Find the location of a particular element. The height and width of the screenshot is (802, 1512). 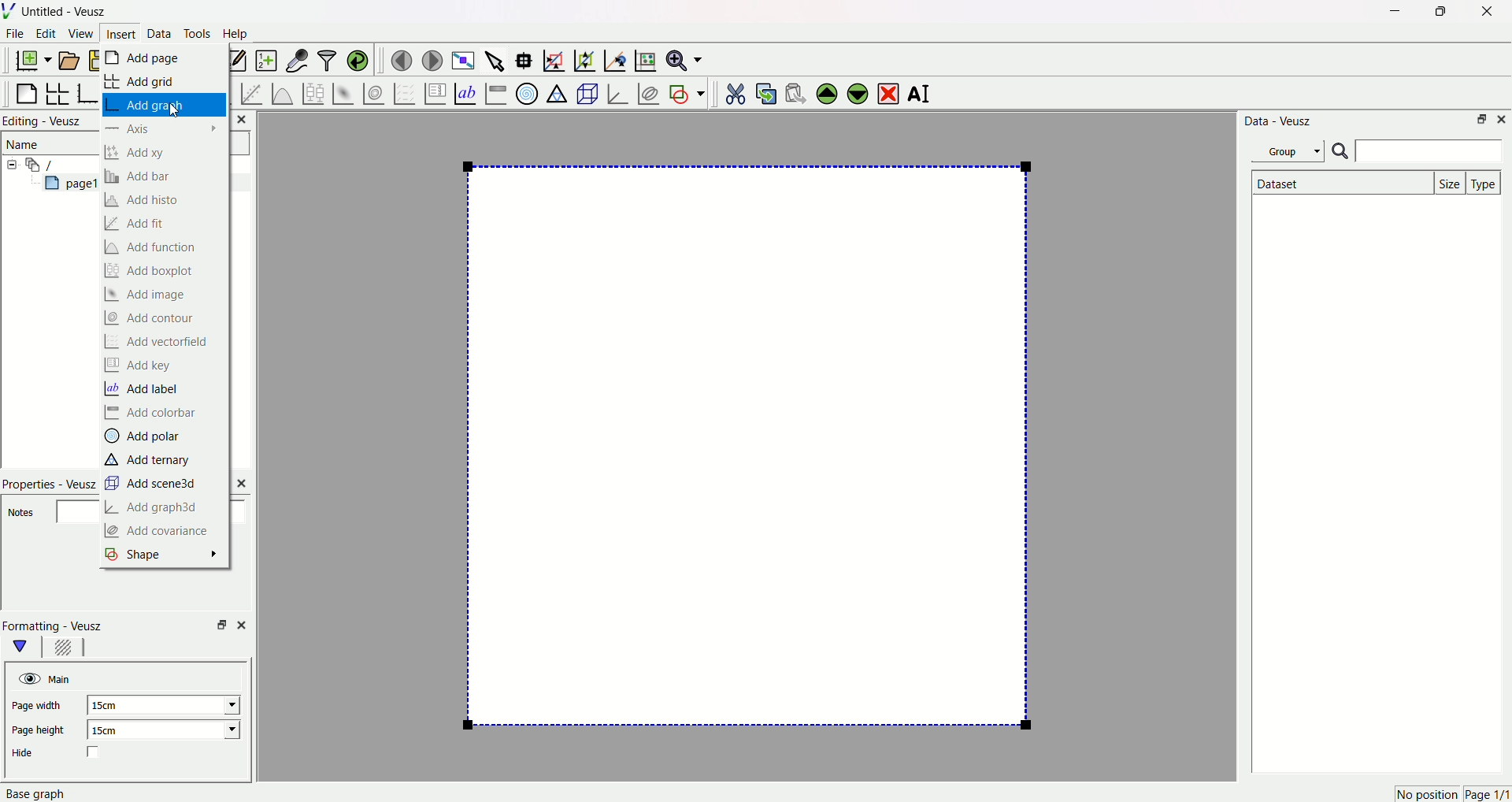

move to previous page is located at coordinates (401, 60).